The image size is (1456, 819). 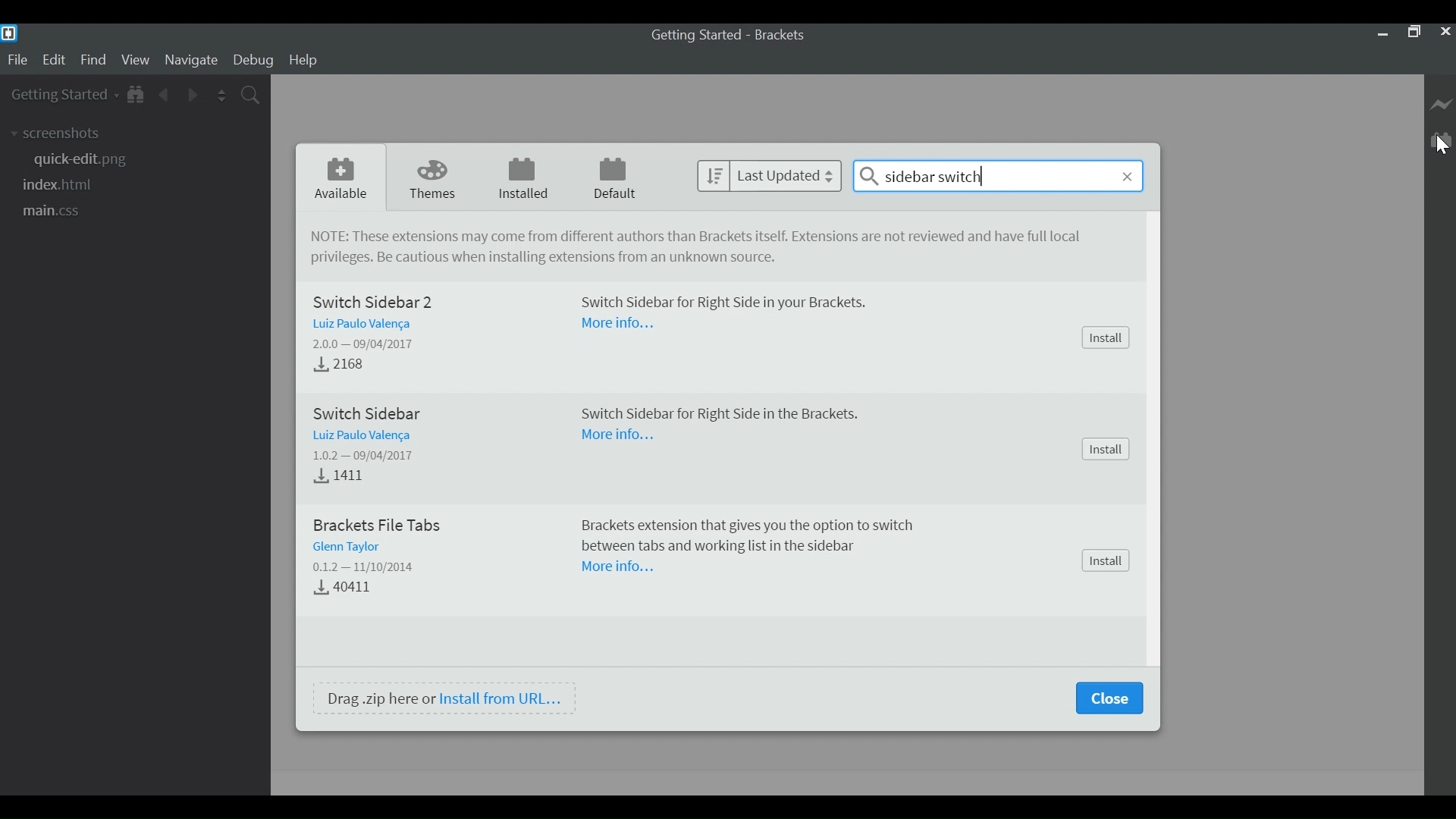 I want to click on Find, so click(x=93, y=61).